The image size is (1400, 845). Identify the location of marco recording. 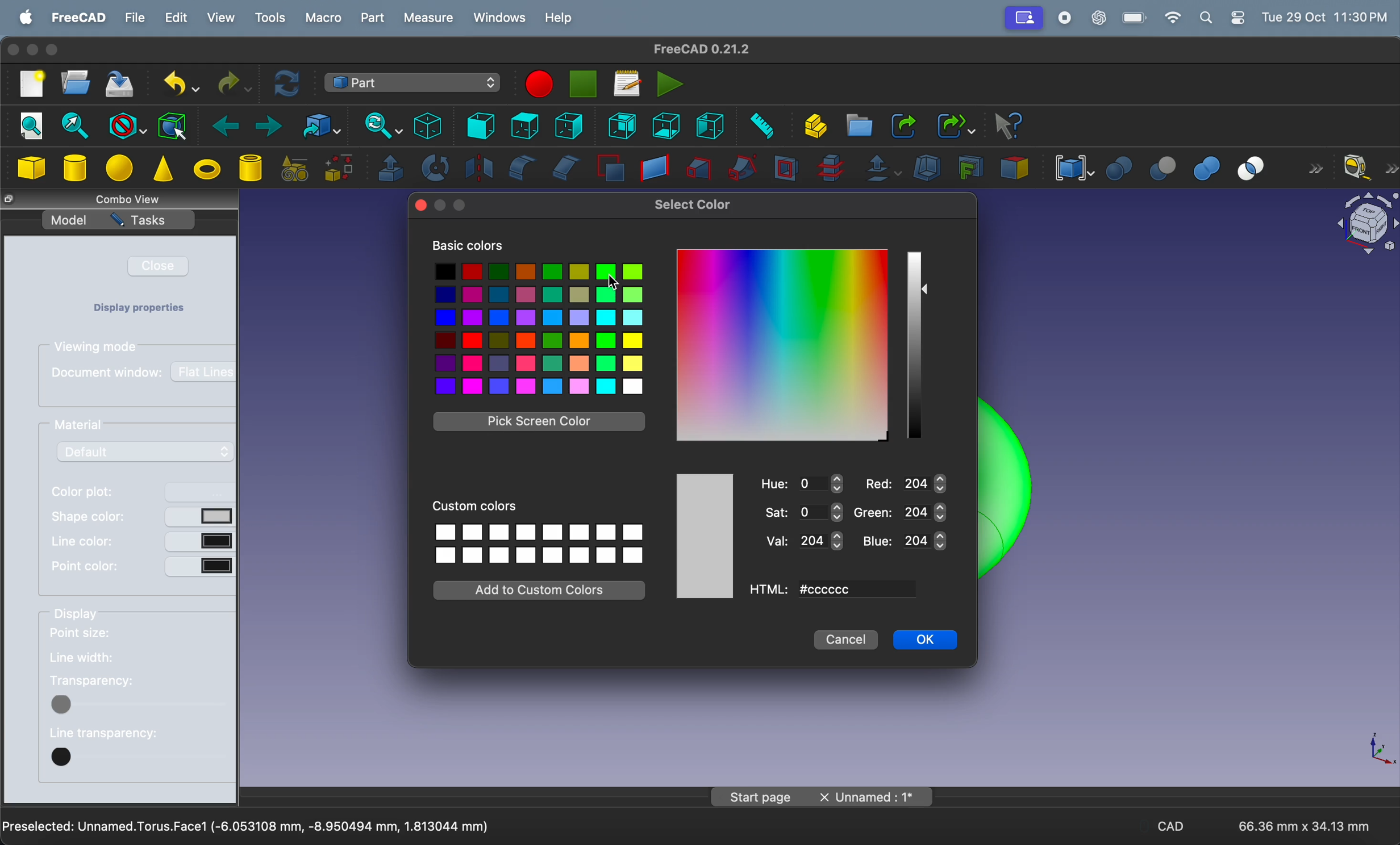
(539, 84).